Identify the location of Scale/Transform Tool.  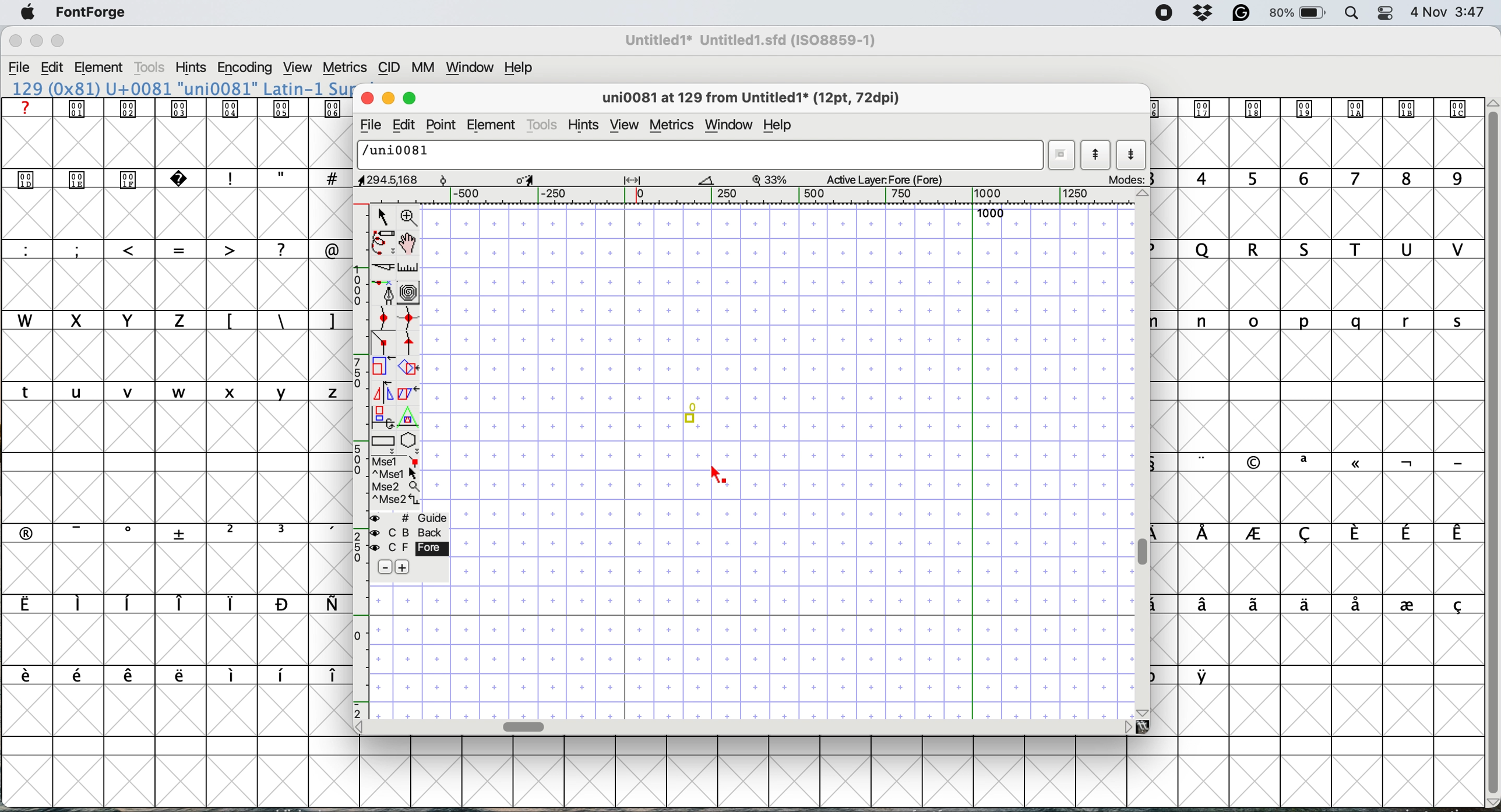
(526, 180).